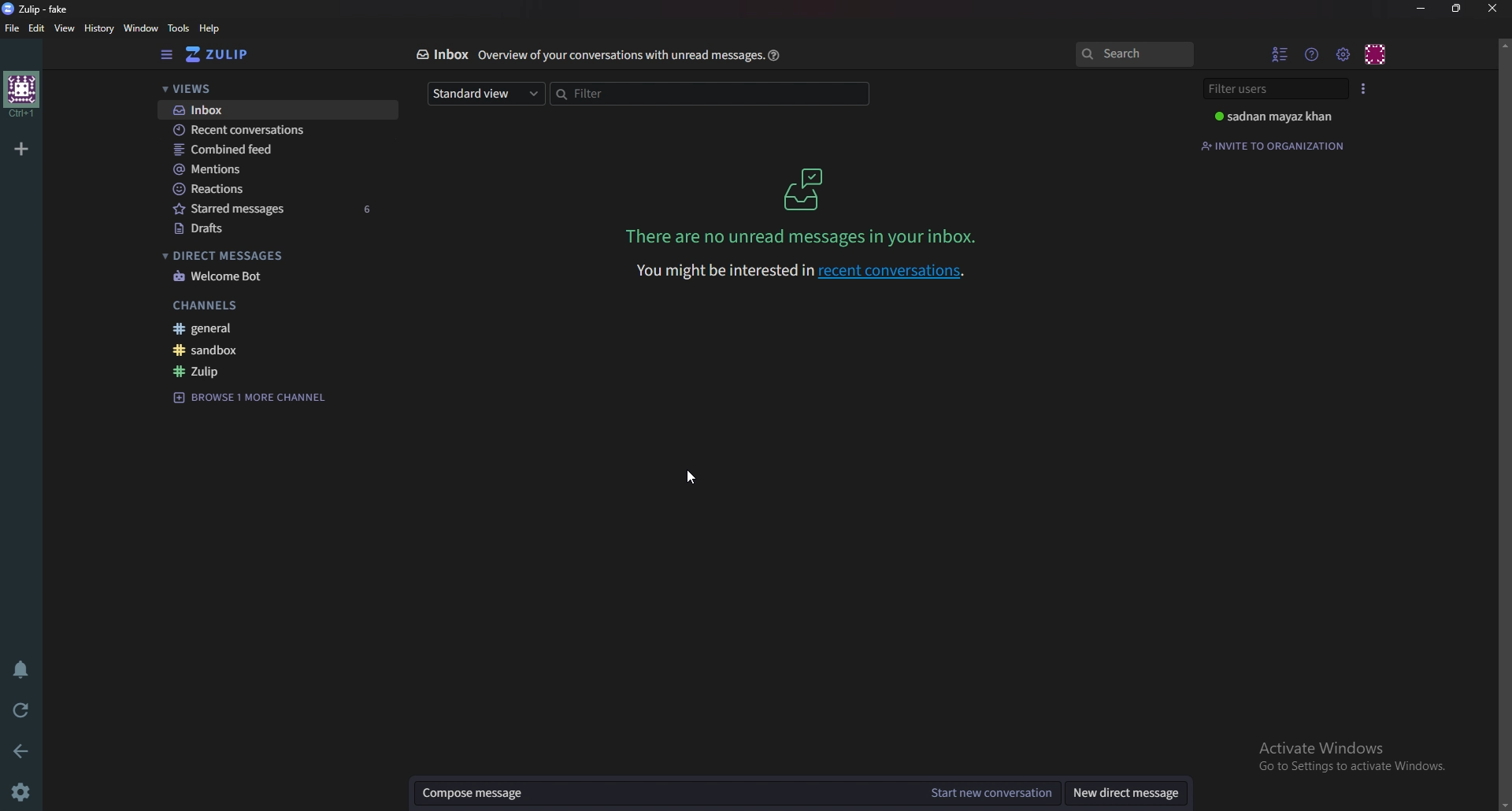 This screenshot has width=1512, height=811. Describe the element at coordinates (1456, 9) in the screenshot. I see `Resize` at that location.